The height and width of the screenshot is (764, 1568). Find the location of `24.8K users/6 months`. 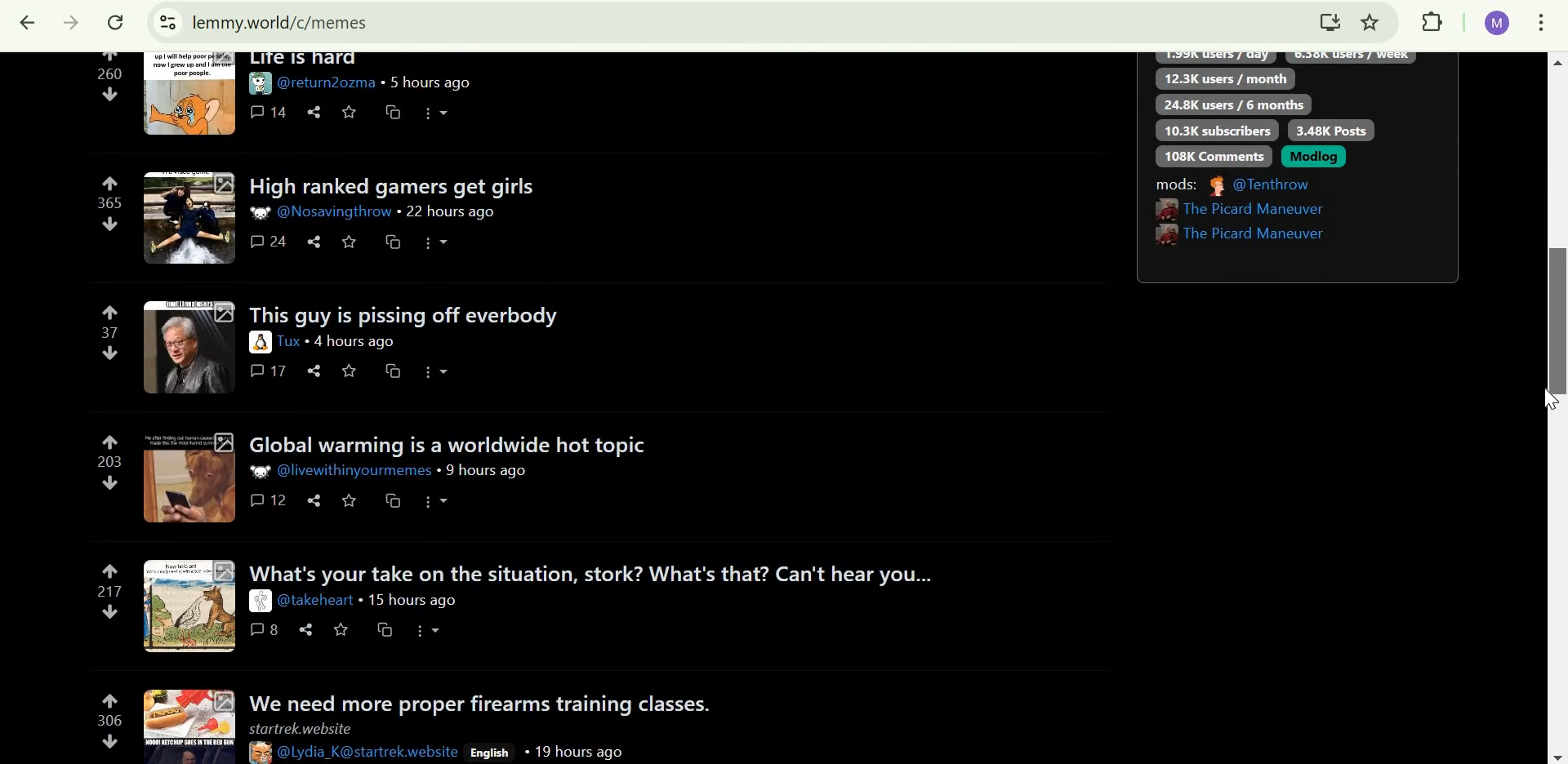

24.8K users/6 months is located at coordinates (1234, 104).